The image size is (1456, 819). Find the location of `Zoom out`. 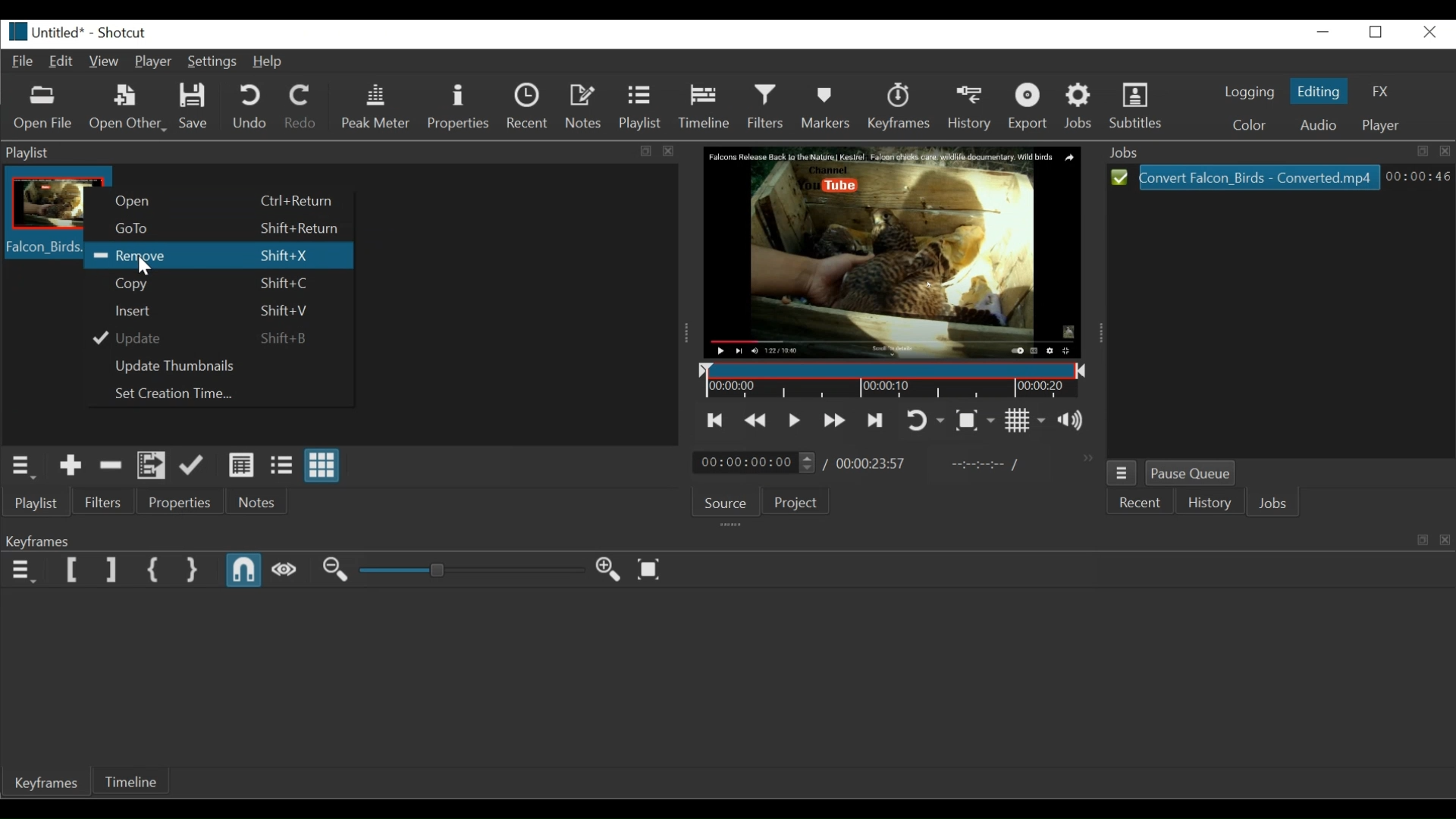

Zoom out is located at coordinates (335, 570).